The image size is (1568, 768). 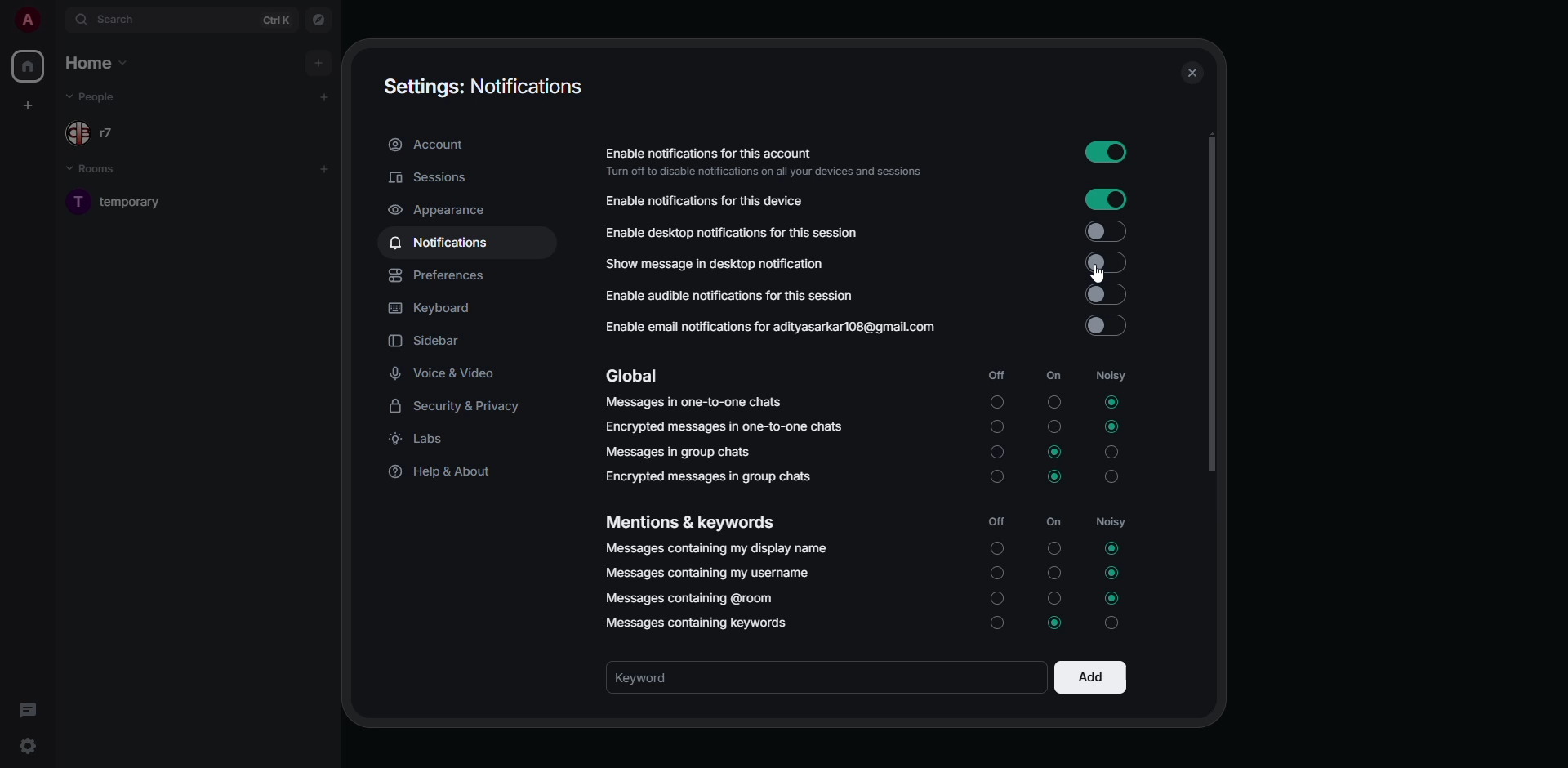 I want to click on people, so click(x=95, y=132).